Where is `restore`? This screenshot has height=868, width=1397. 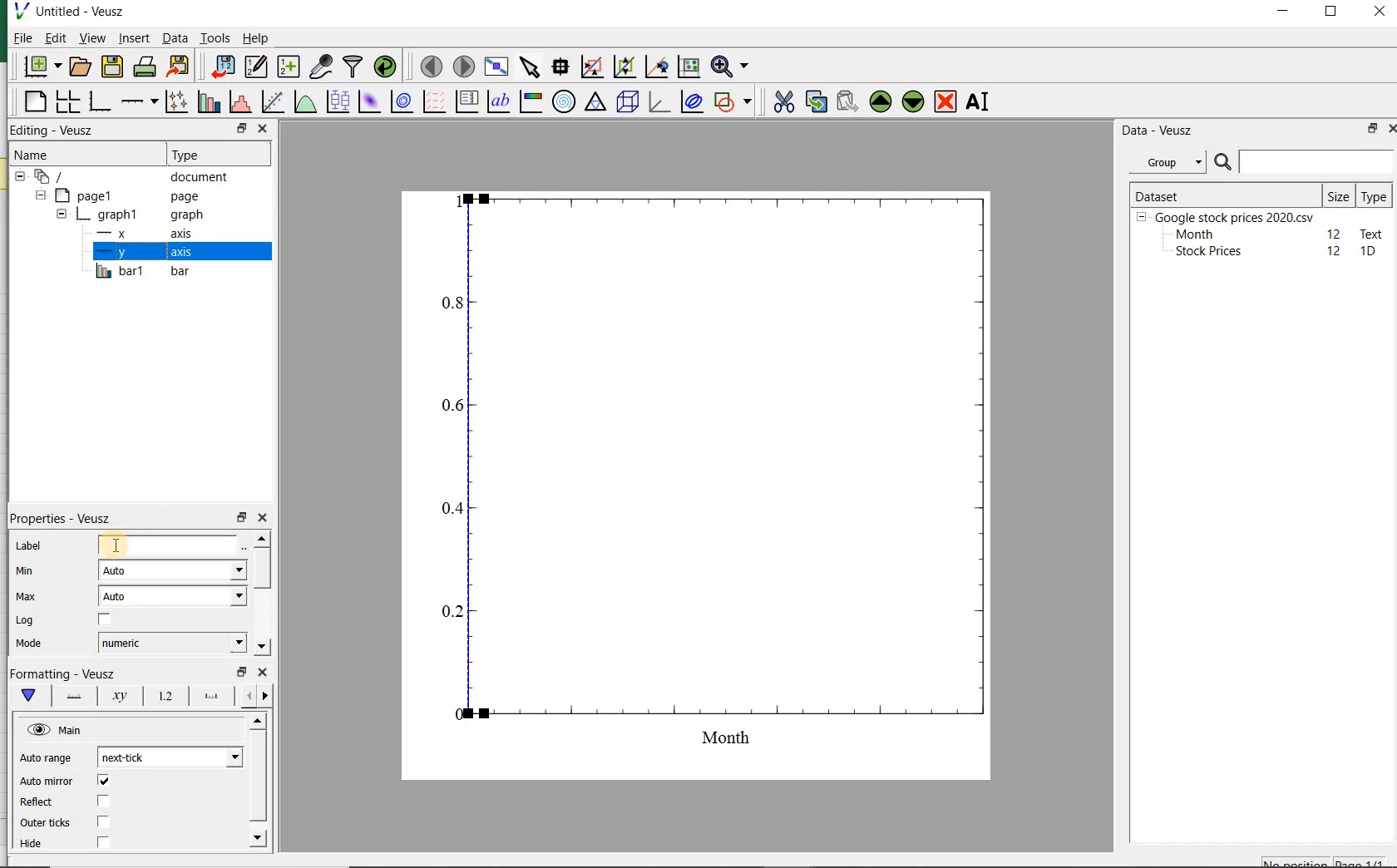 restore is located at coordinates (1370, 130).